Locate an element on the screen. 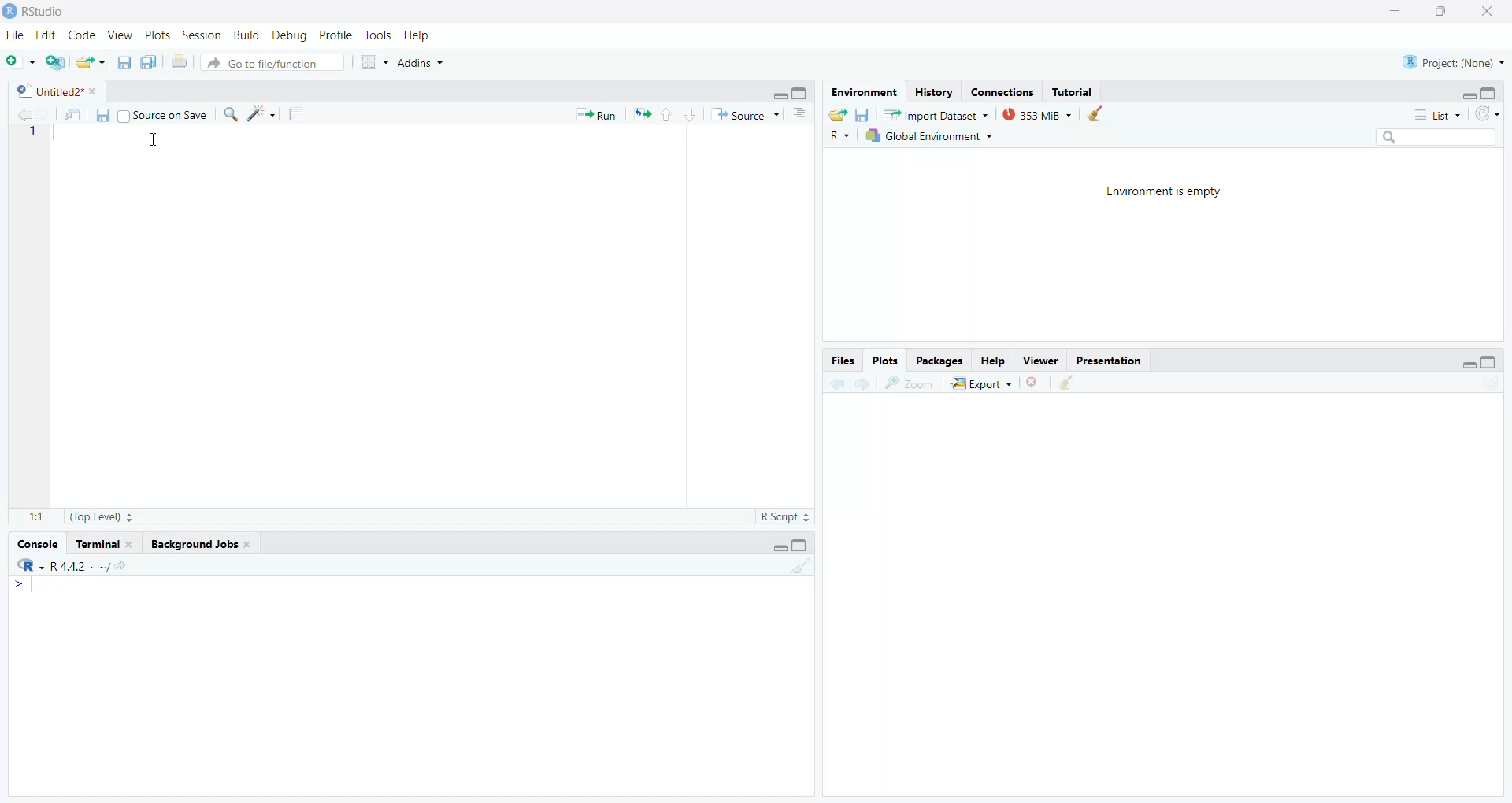 This screenshot has height=803, width=1512. load workspace is located at coordinates (839, 115).